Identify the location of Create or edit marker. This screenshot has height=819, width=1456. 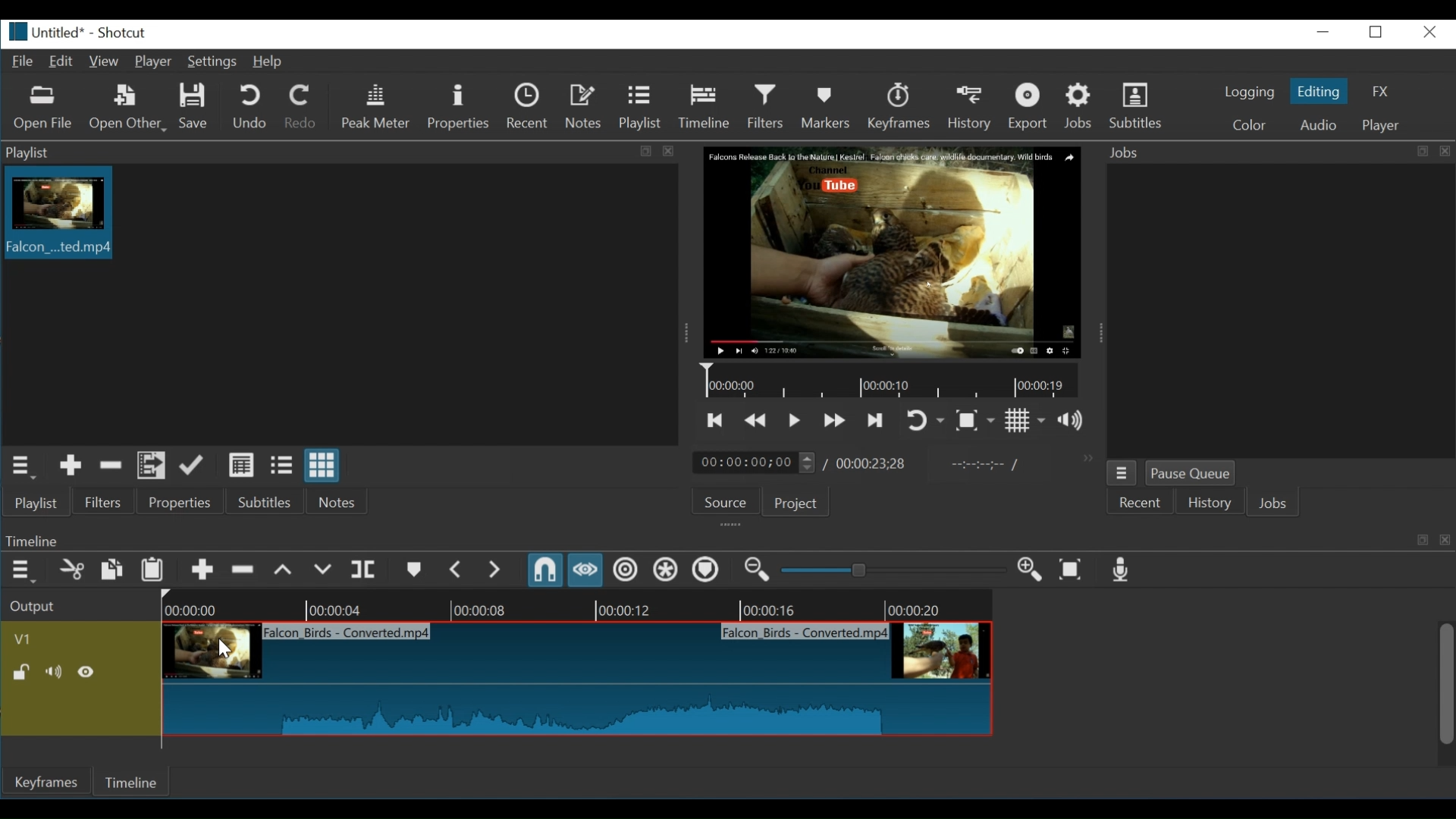
(413, 570).